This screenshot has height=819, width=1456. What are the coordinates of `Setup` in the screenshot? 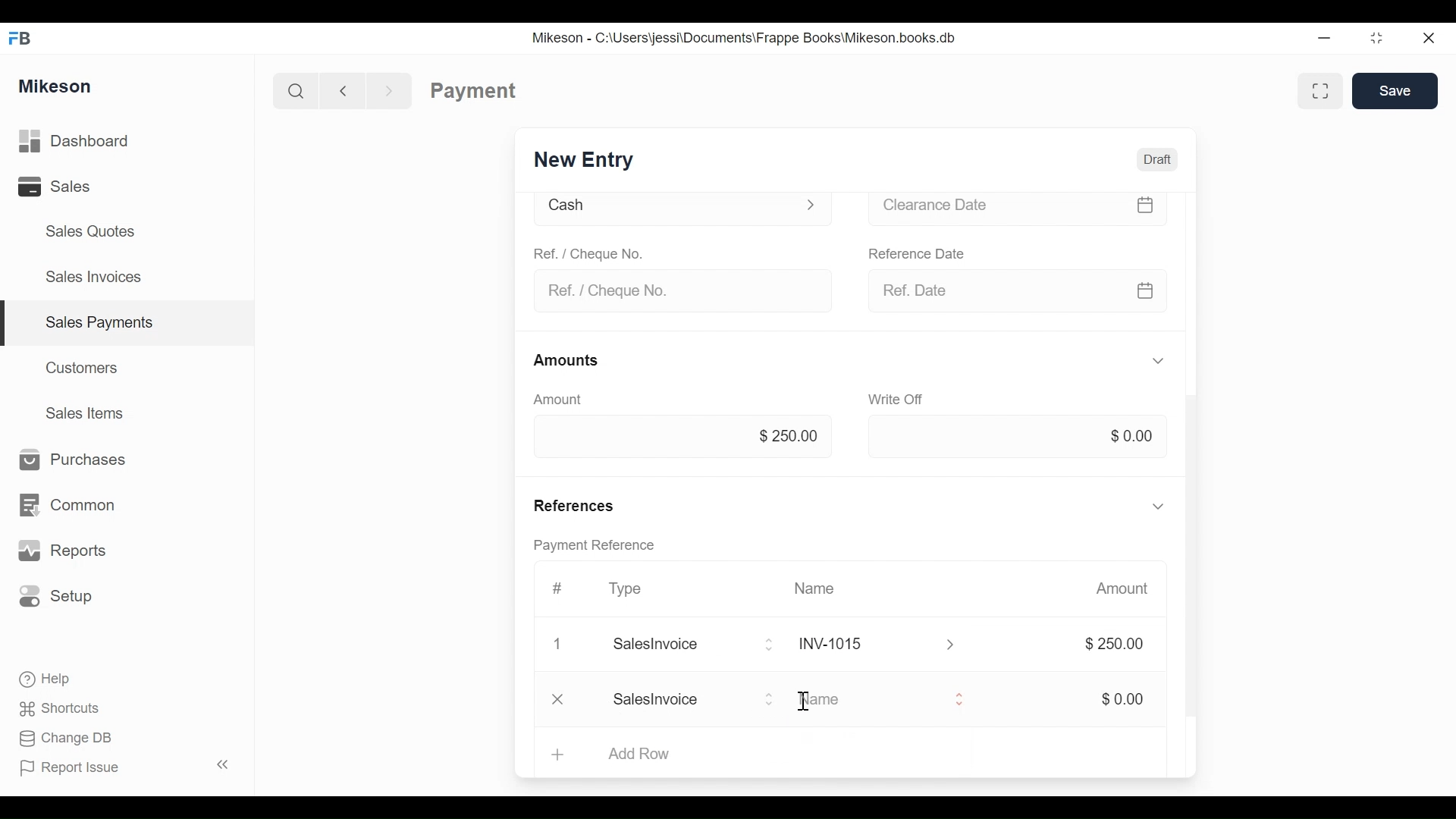 It's located at (61, 597).